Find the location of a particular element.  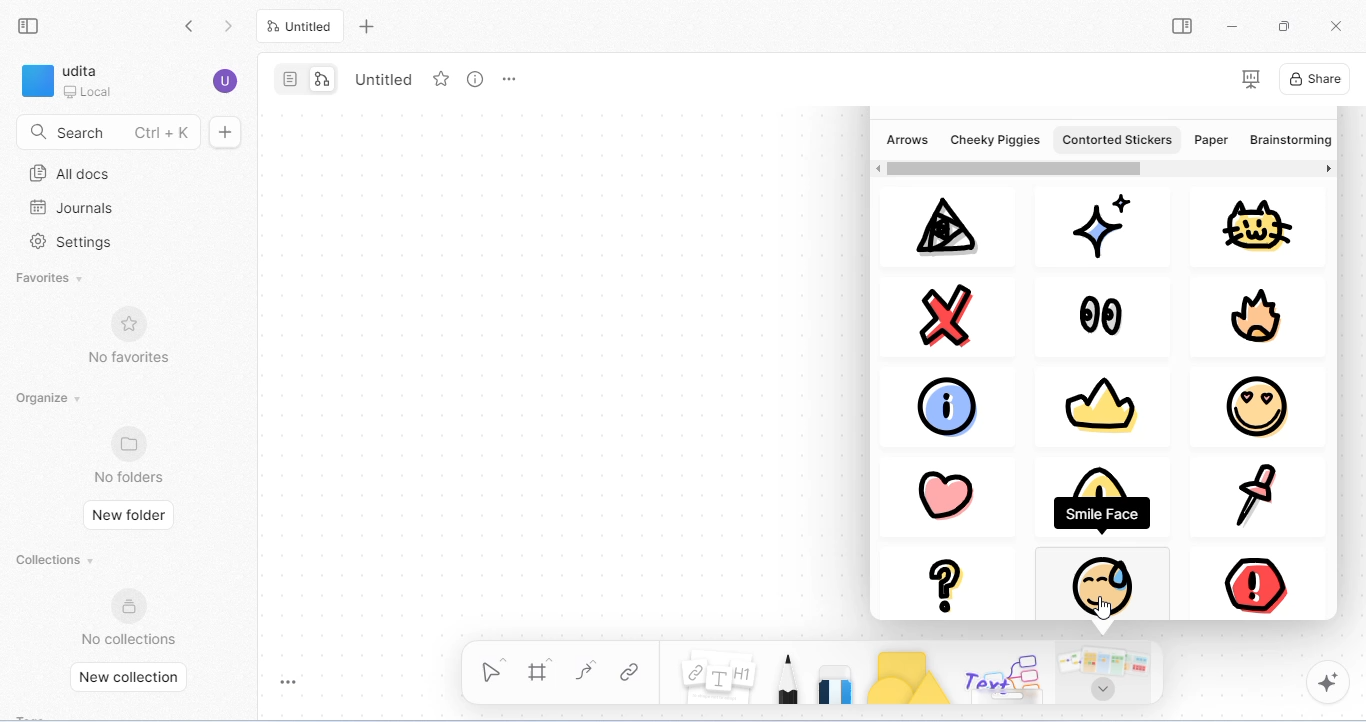

presentation is located at coordinates (1250, 79).